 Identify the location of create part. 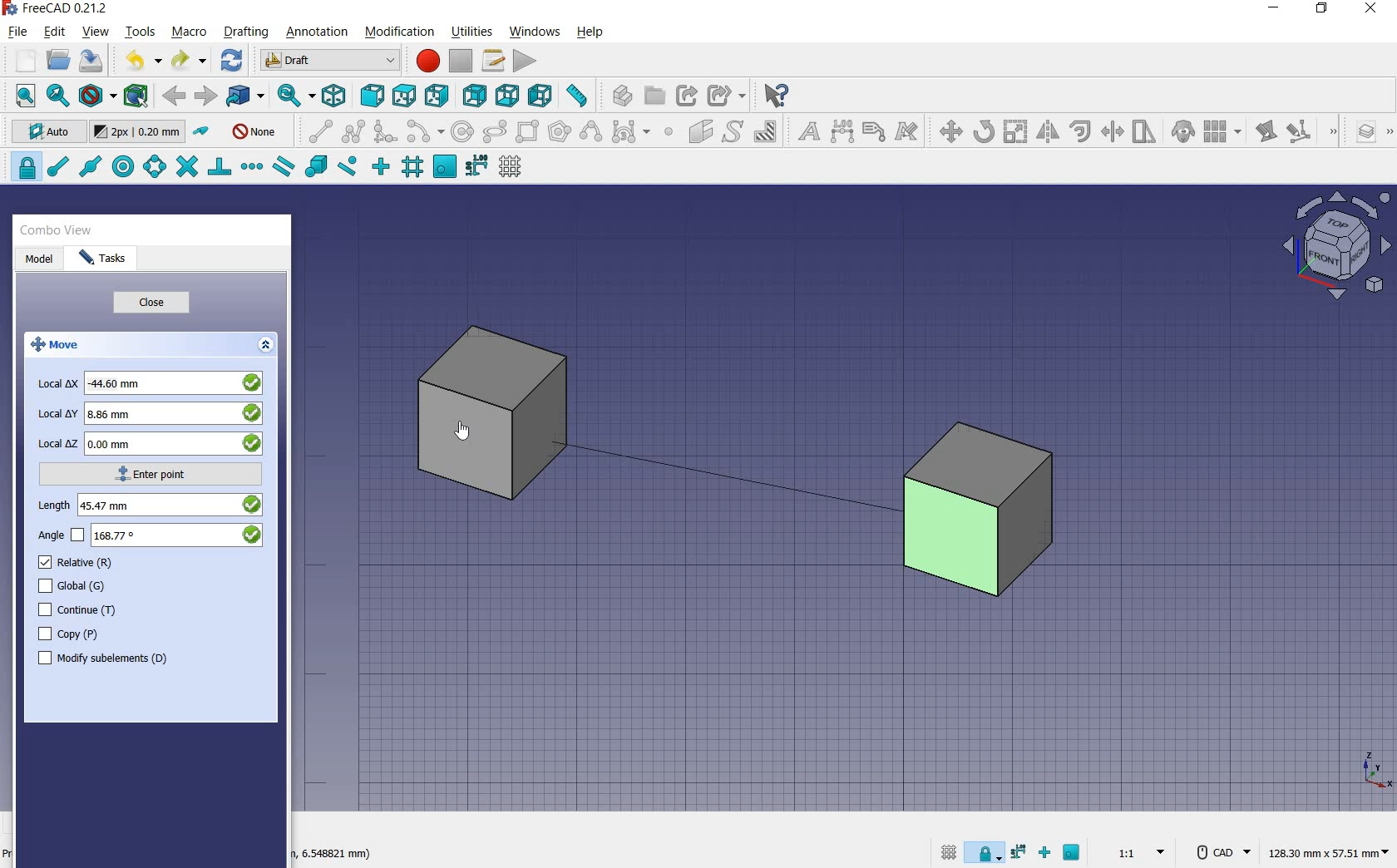
(618, 95).